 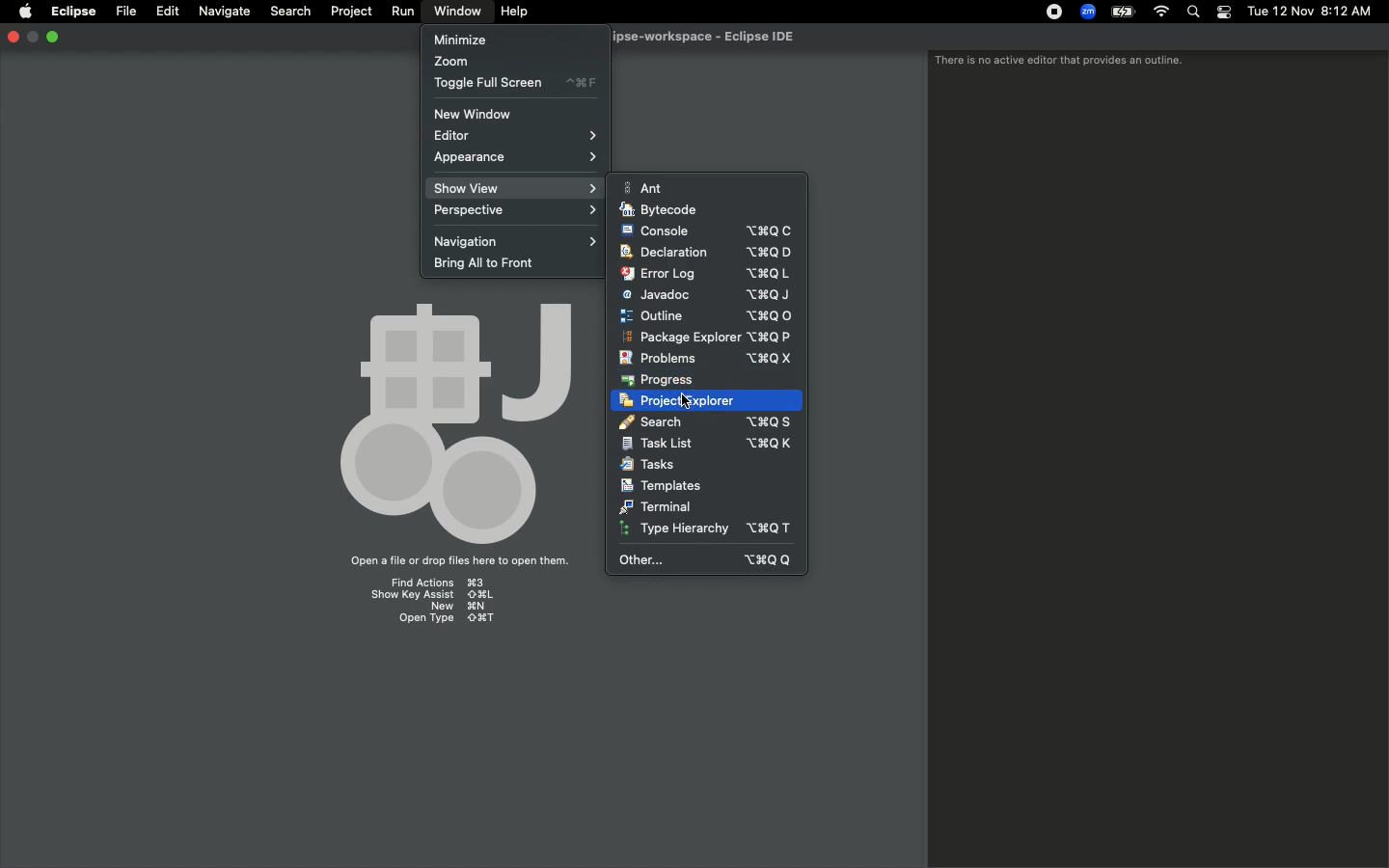 I want to click on Help, so click(x=515, y=12).